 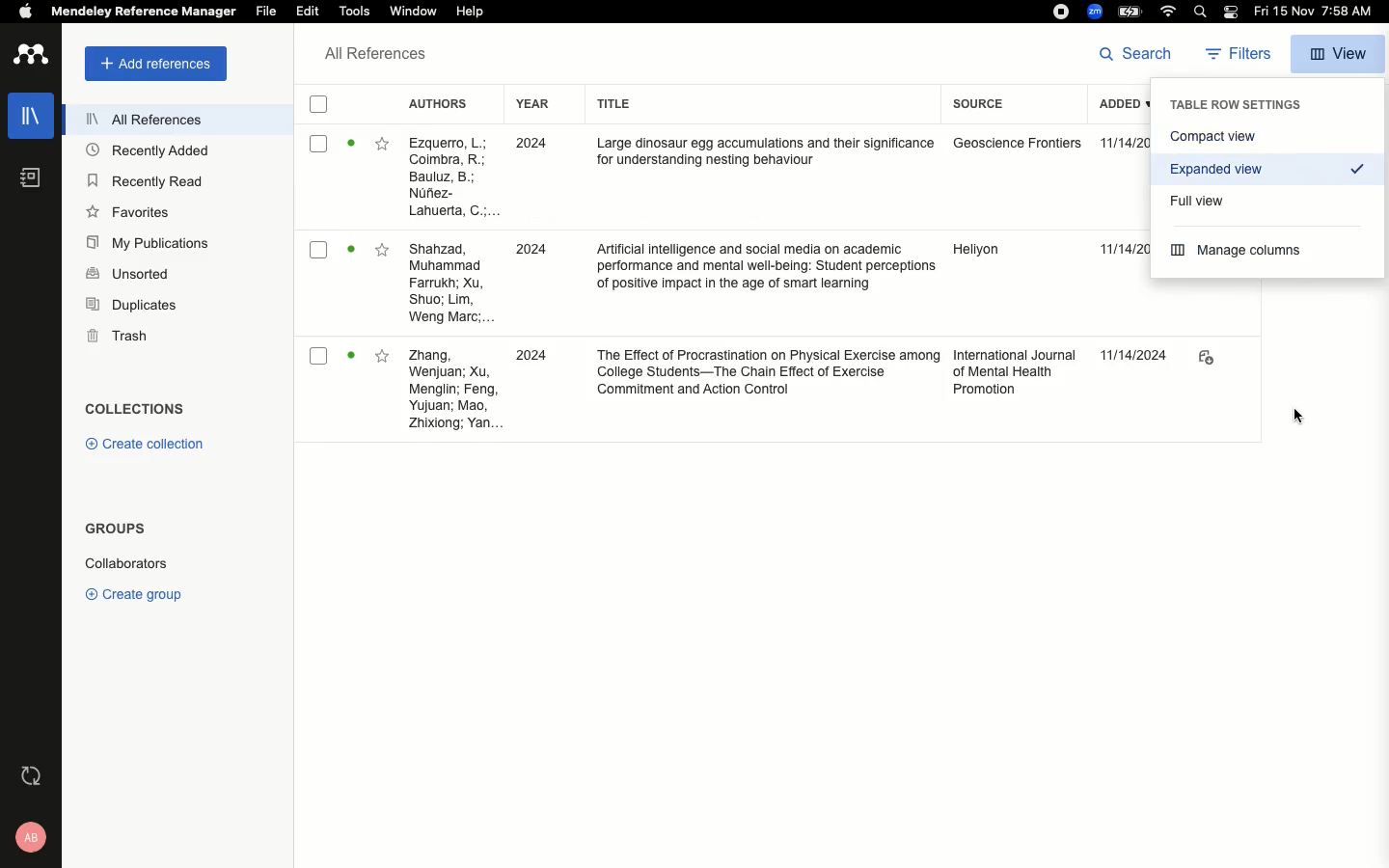 I want to click on 2024, so click(x=528, y=146).